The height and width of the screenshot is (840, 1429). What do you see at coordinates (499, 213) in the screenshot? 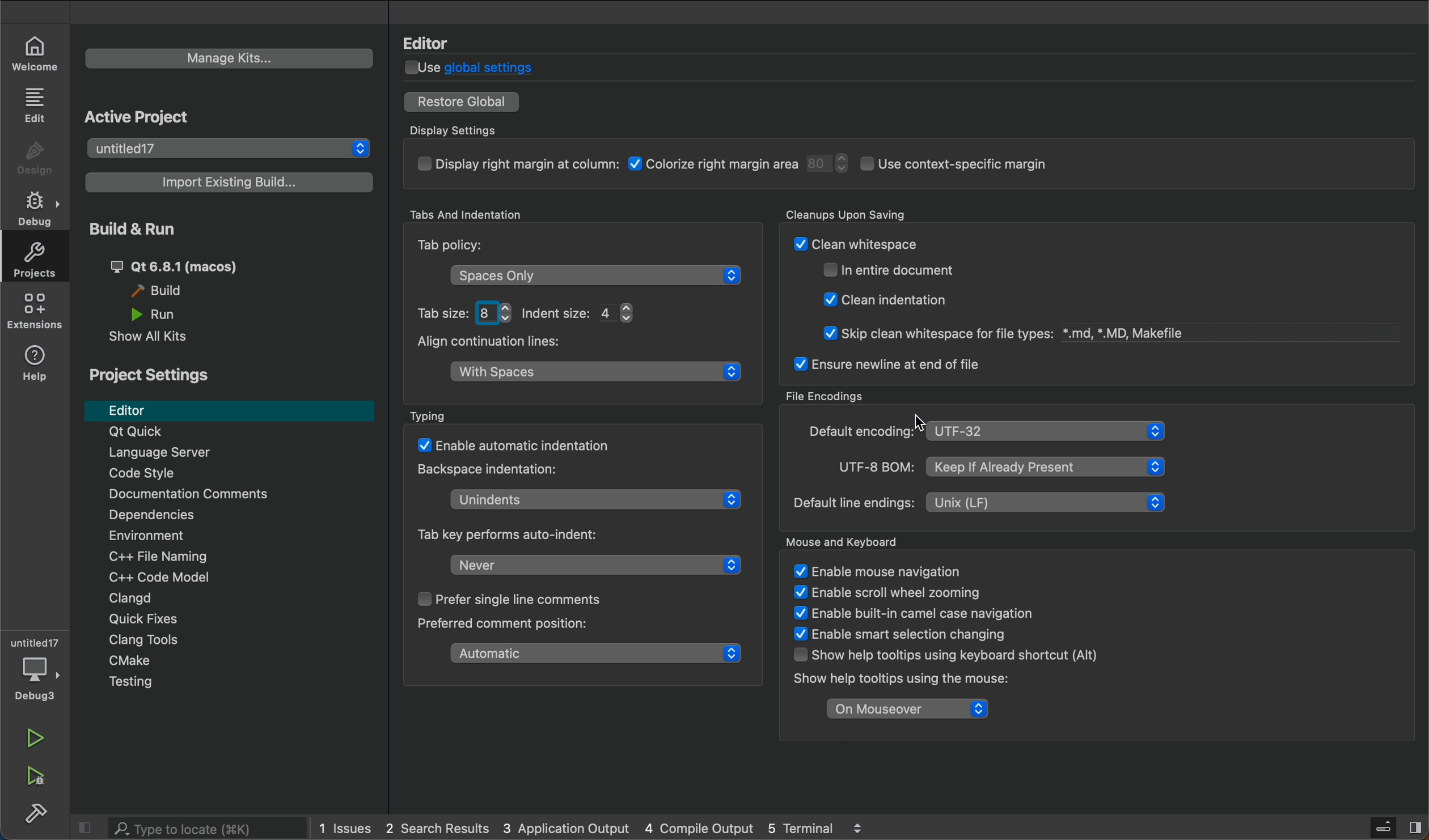
I see `Tabs And Identation` at bounding box center [499, 213].